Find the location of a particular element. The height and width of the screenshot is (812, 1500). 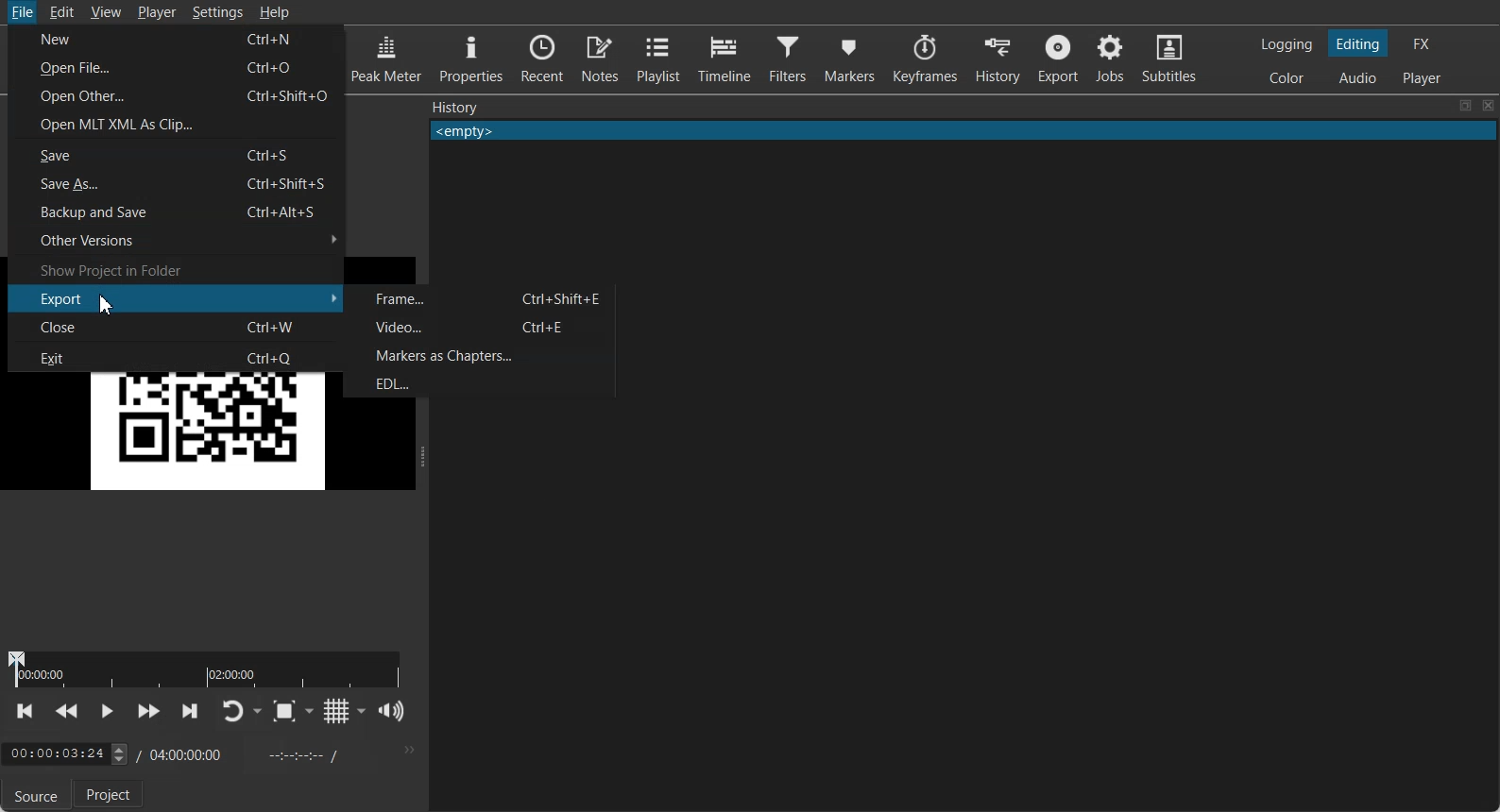

Open File is located at coordinates (88, 68).